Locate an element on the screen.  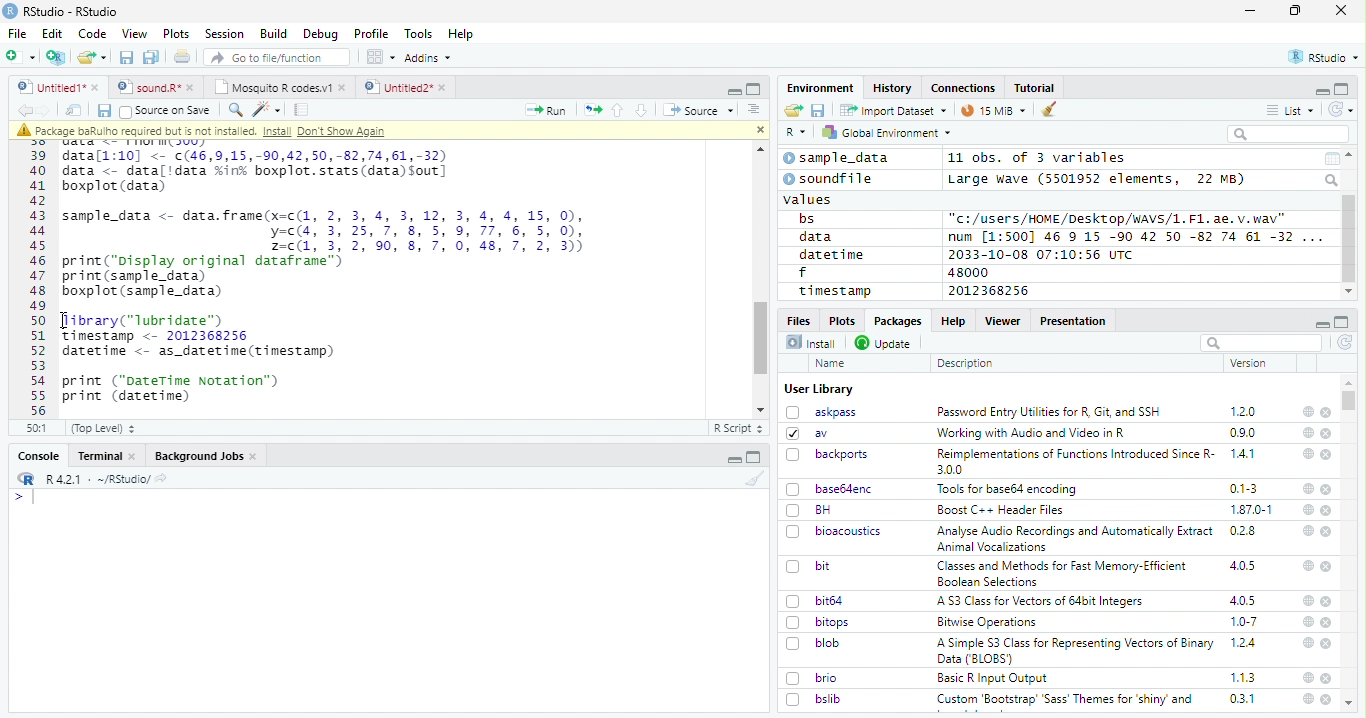
datetime is located at coordinates (831, 254).